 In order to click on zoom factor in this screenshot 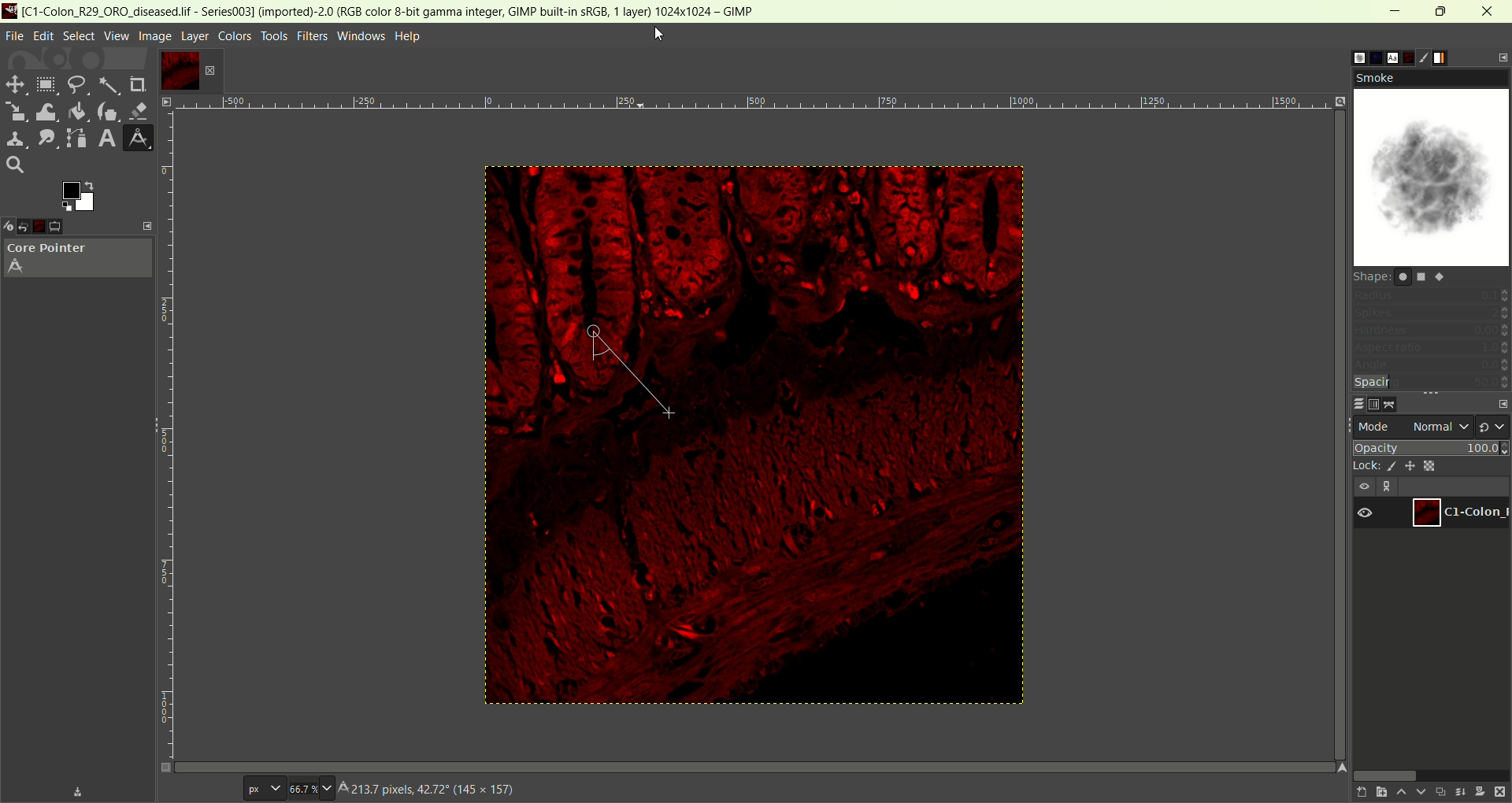, I will do `click(312, 787)`.